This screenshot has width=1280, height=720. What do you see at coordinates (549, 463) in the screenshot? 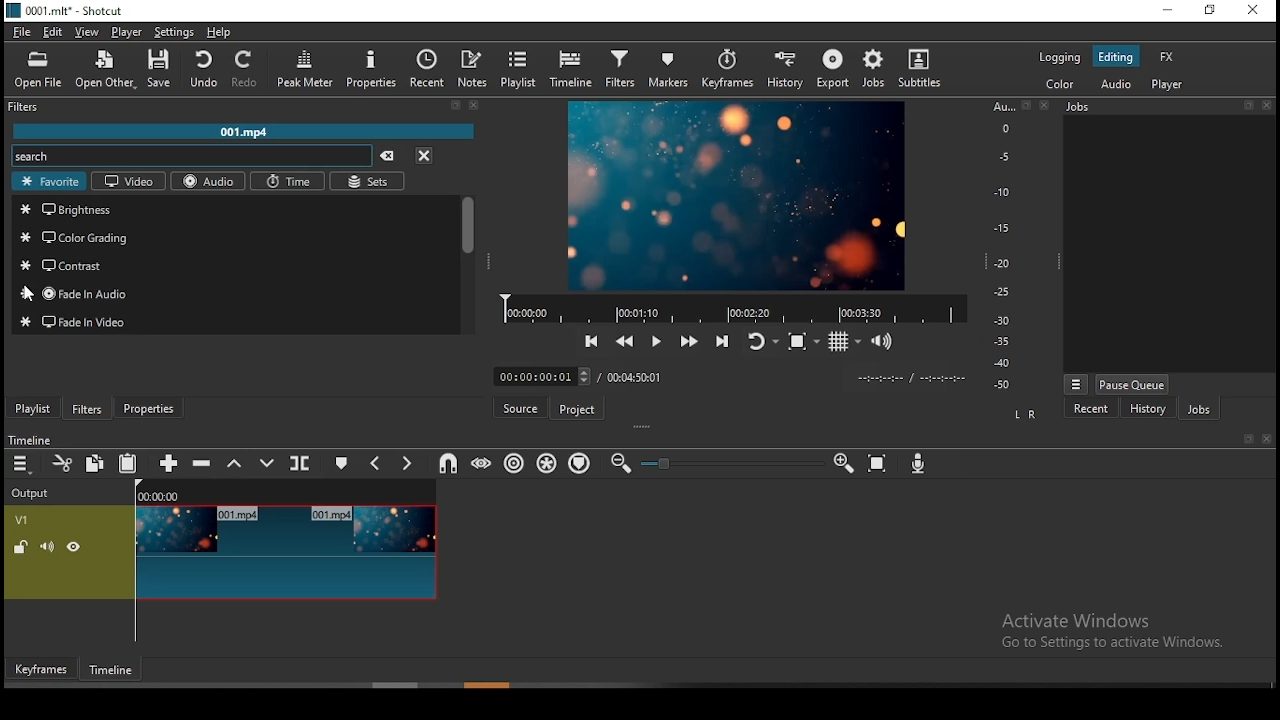
I see `ripple all tracks` at bounding box center [549, 463].